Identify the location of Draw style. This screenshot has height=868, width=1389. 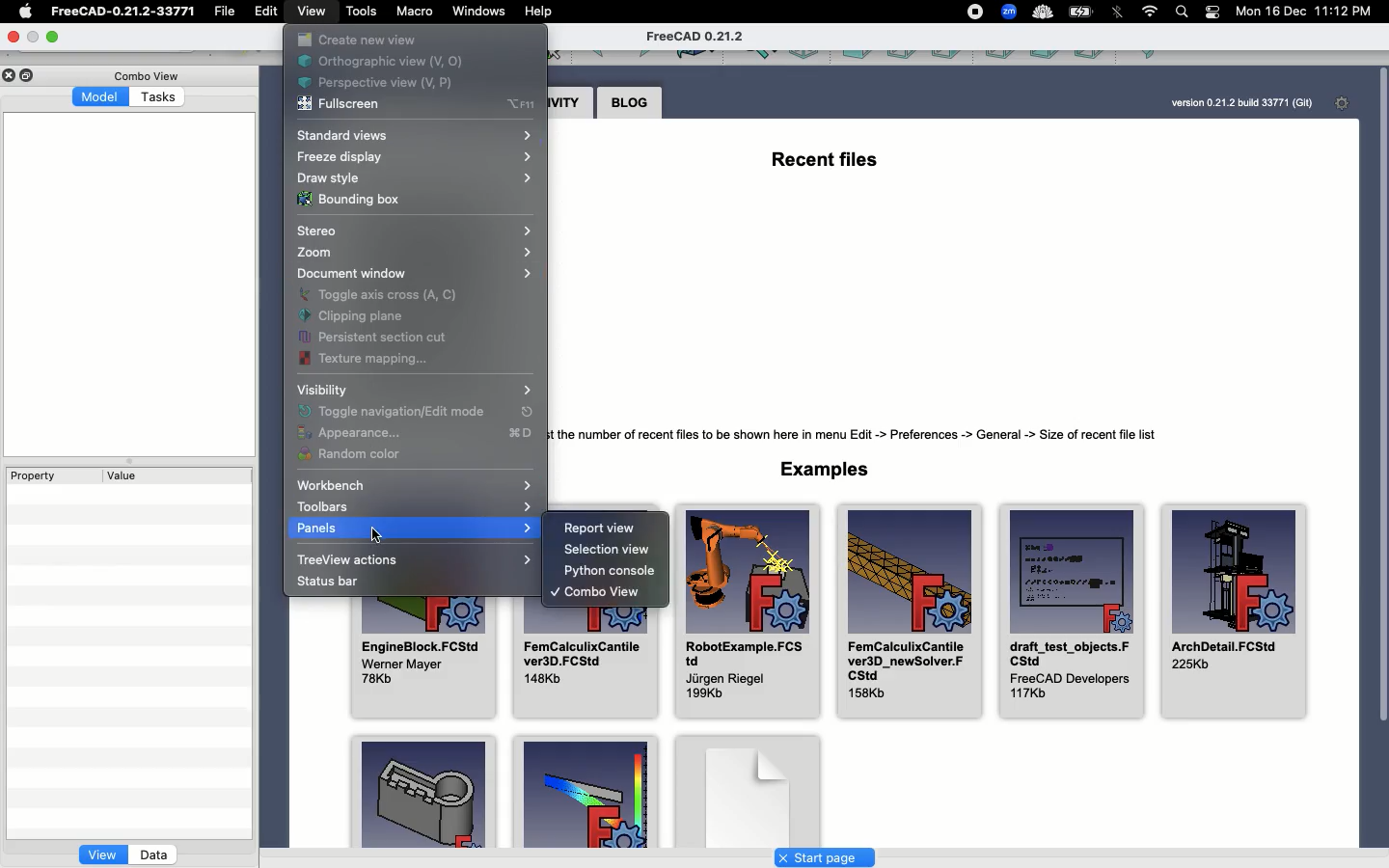
(412, 178).